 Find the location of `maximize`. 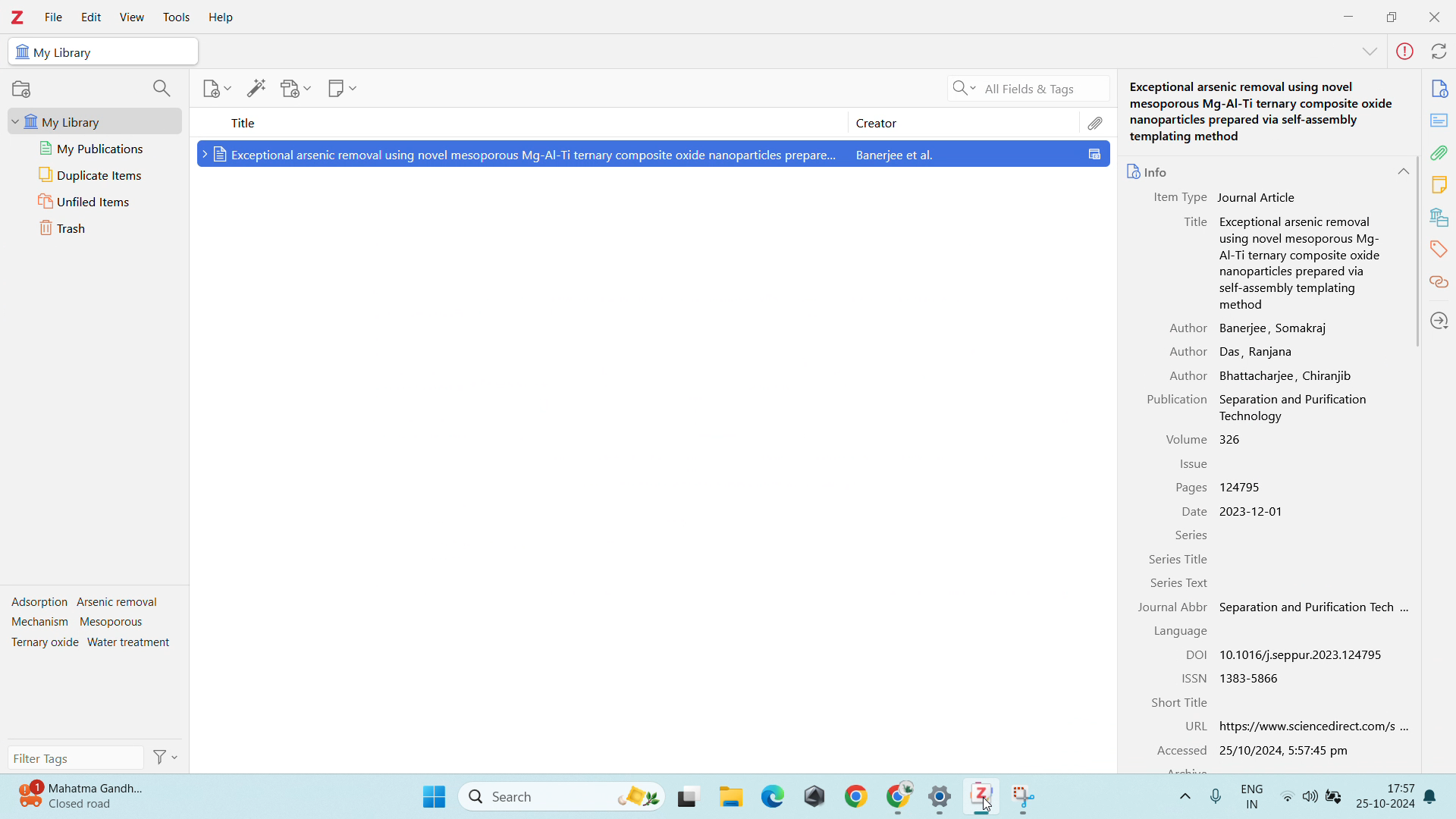

maximize is located at coordinates (1392, 15).